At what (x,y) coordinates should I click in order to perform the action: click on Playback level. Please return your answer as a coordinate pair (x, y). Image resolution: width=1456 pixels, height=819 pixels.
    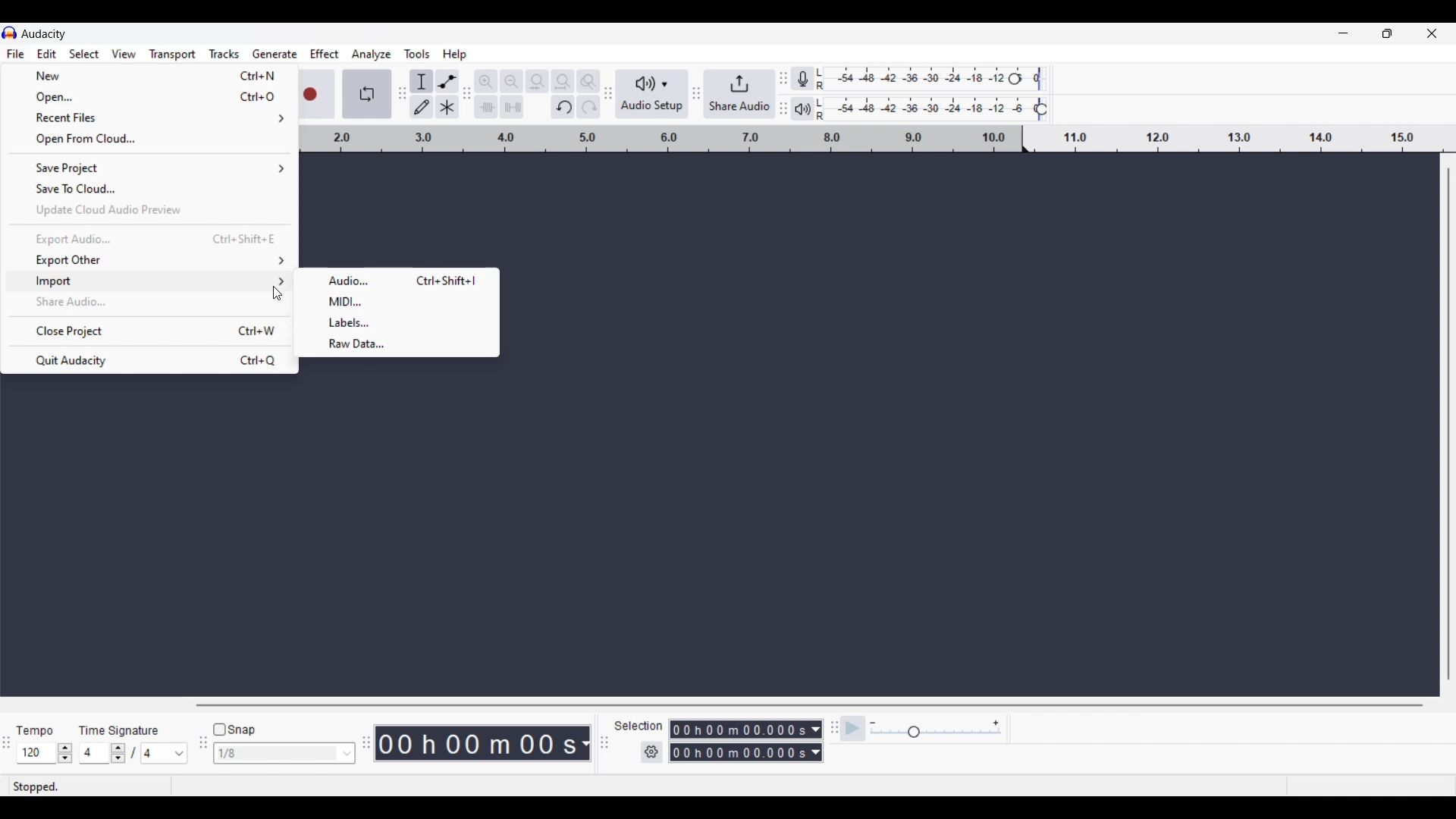
    Looking at the image, I should click on (942, 109).